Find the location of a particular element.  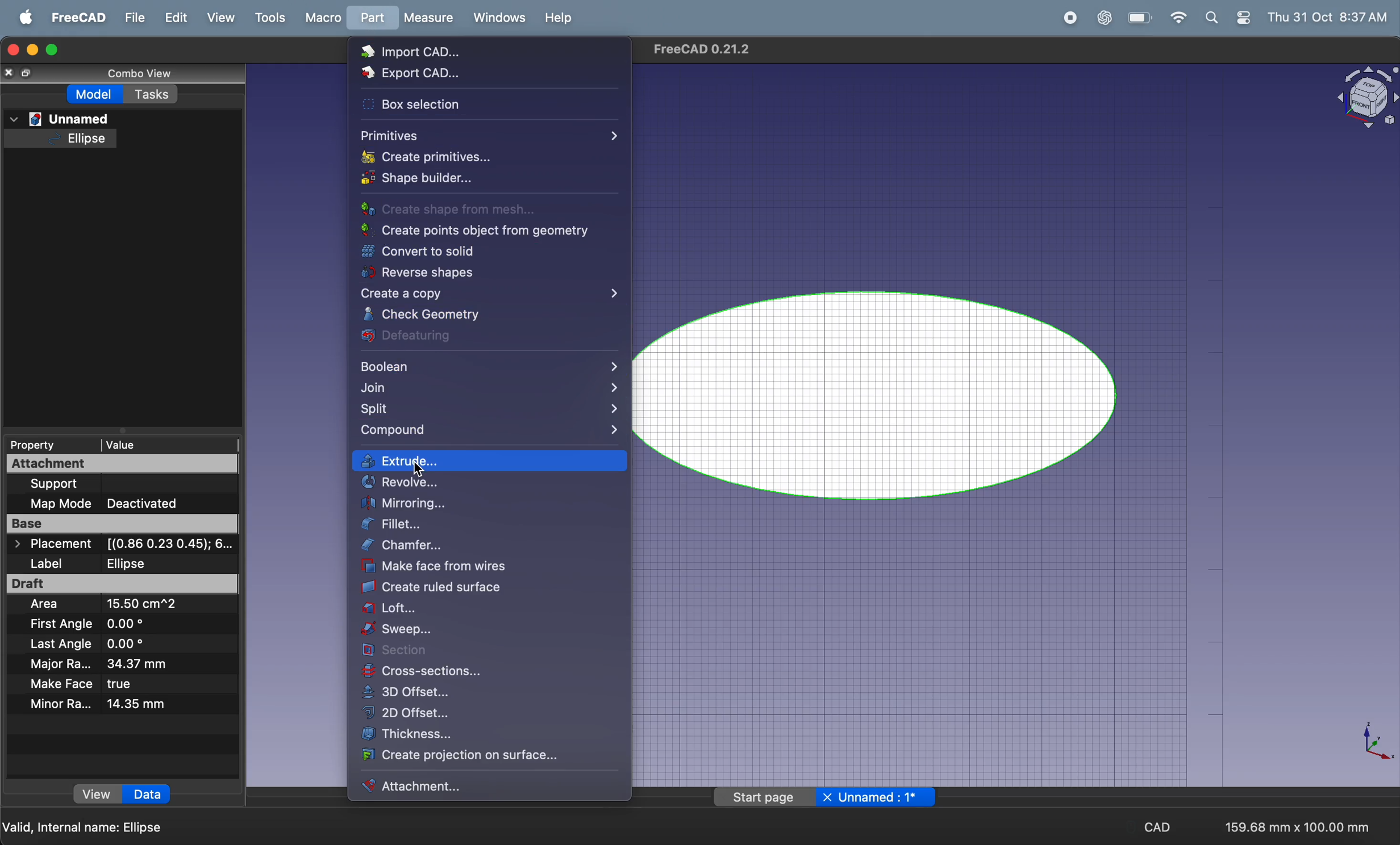

create ruled surface is located at coordinates (461, 588).